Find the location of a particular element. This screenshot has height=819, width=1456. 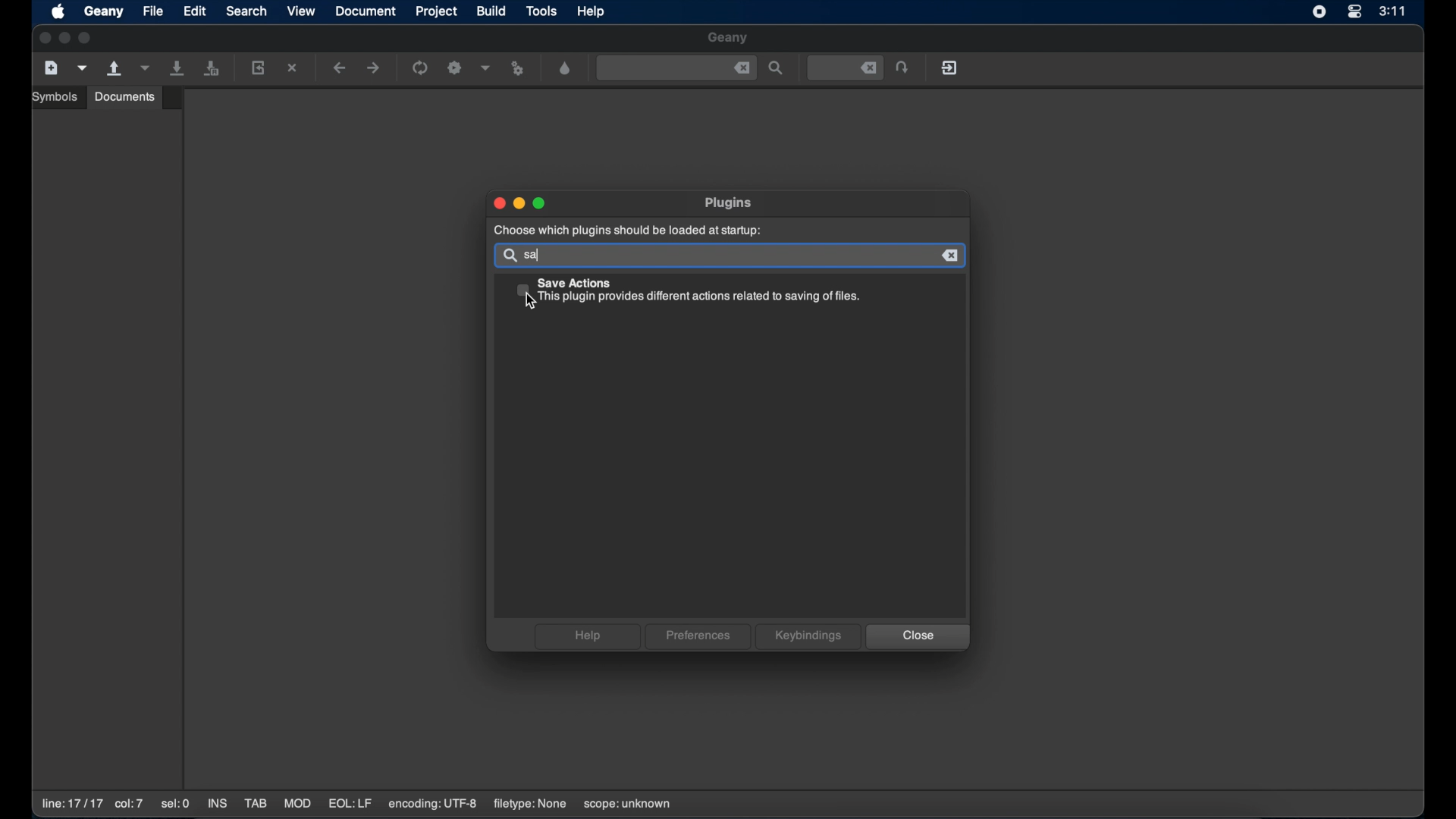

quit geany is located at coordinates (951, 67).